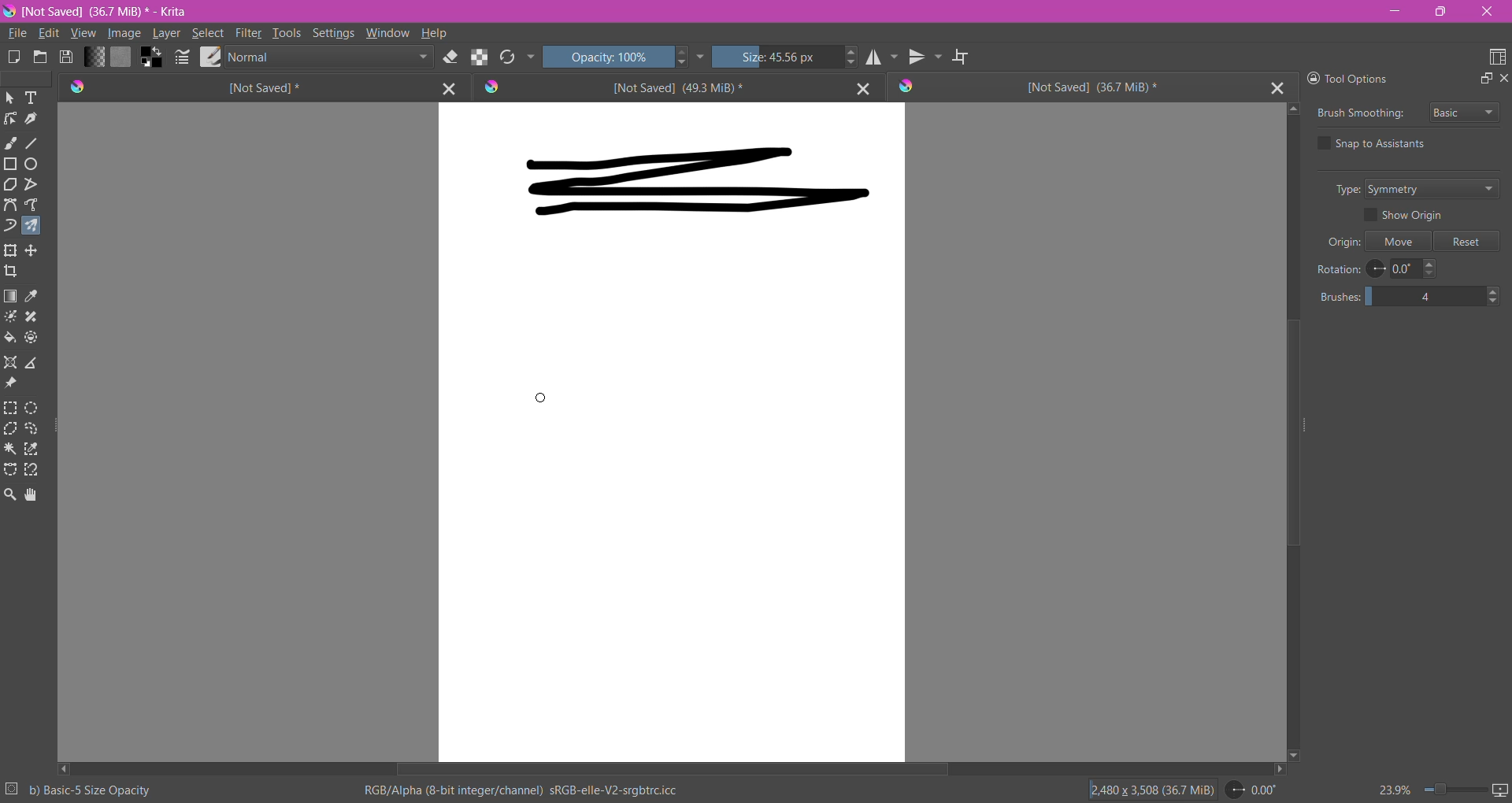 The height and width of the screenshot is (803, 1512). What do you see at coordinates (29, 227) in the screenshot?
I see `Multi-brush Tool selected` at bounding box center [29, 227].